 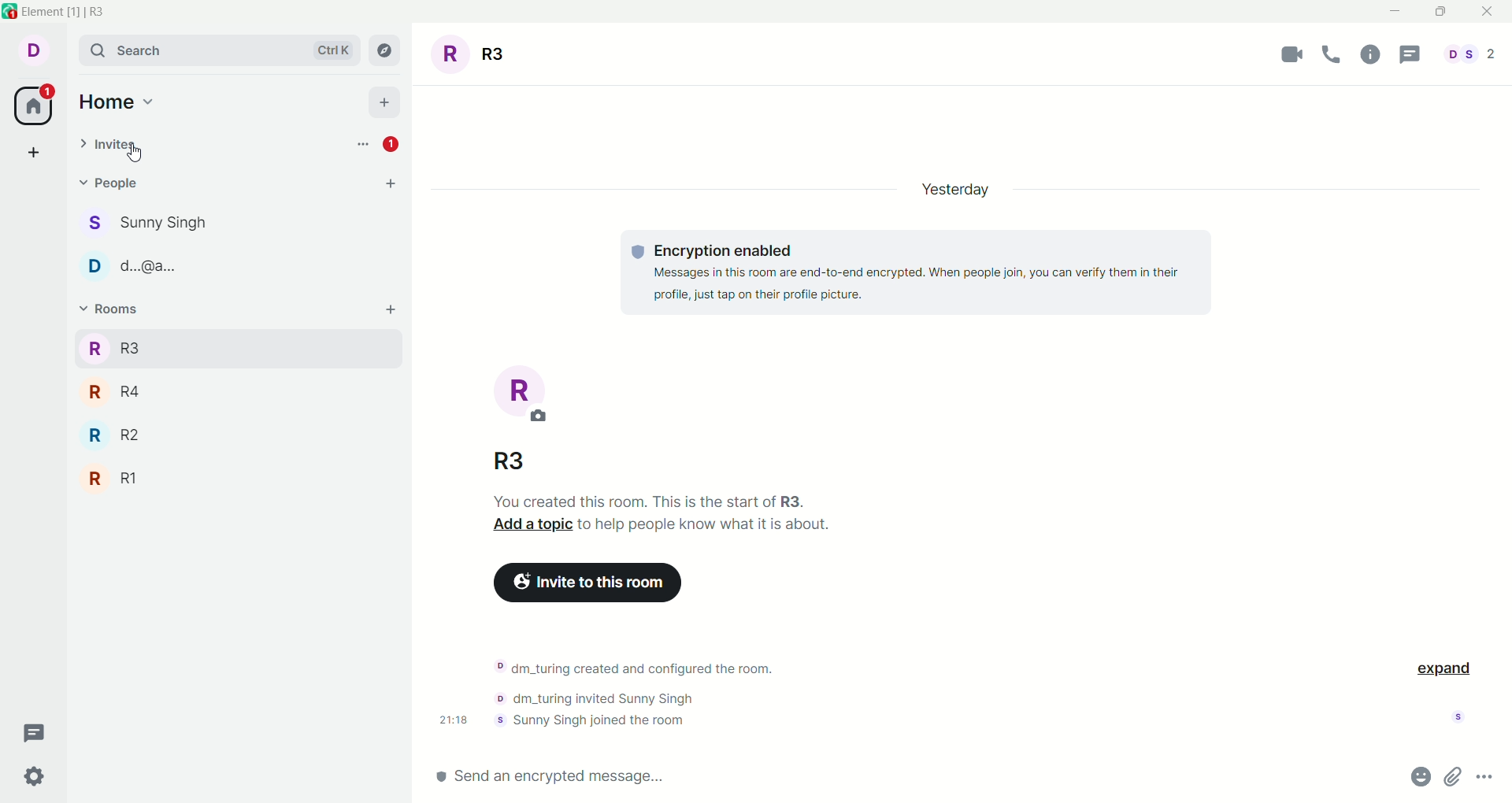 I want to click on account, so click(x=1463, y=716).